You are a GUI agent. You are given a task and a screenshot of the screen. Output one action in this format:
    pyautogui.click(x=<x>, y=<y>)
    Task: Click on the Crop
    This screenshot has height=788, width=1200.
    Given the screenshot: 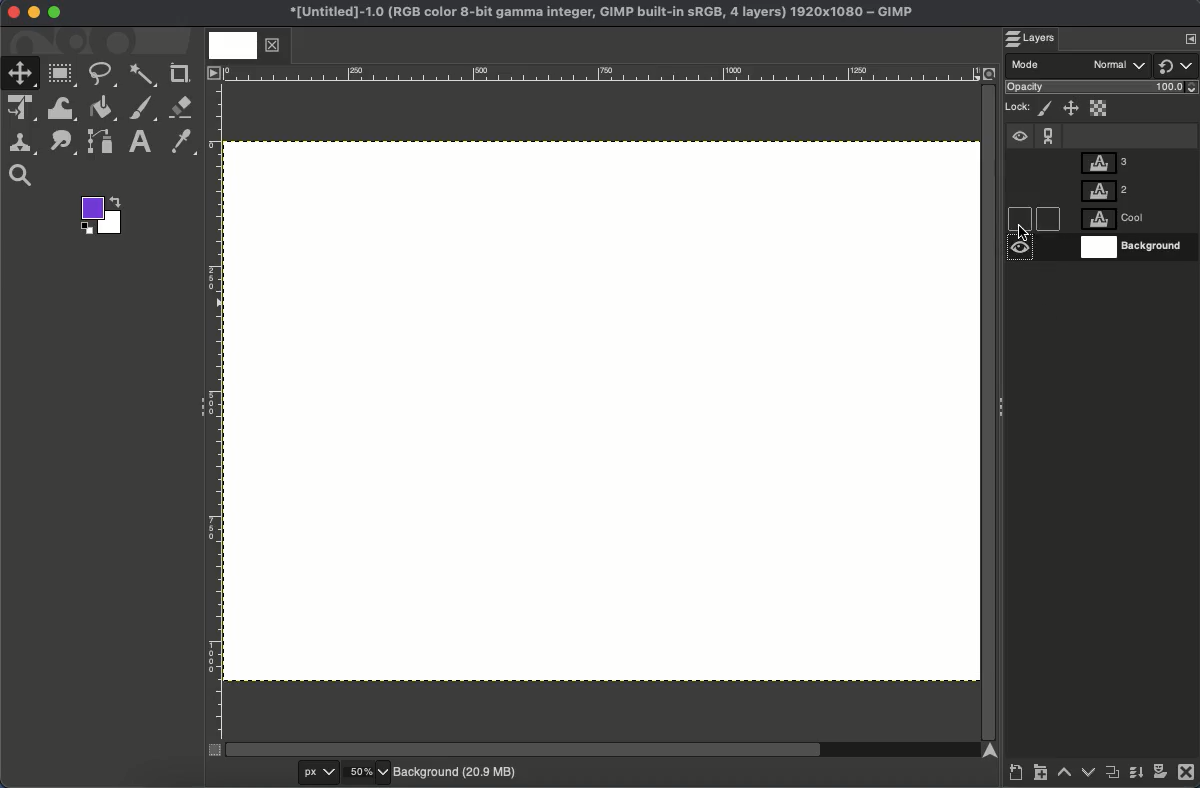 What is the action you would take?
    pyautogui.click(x=181, y=72)
    